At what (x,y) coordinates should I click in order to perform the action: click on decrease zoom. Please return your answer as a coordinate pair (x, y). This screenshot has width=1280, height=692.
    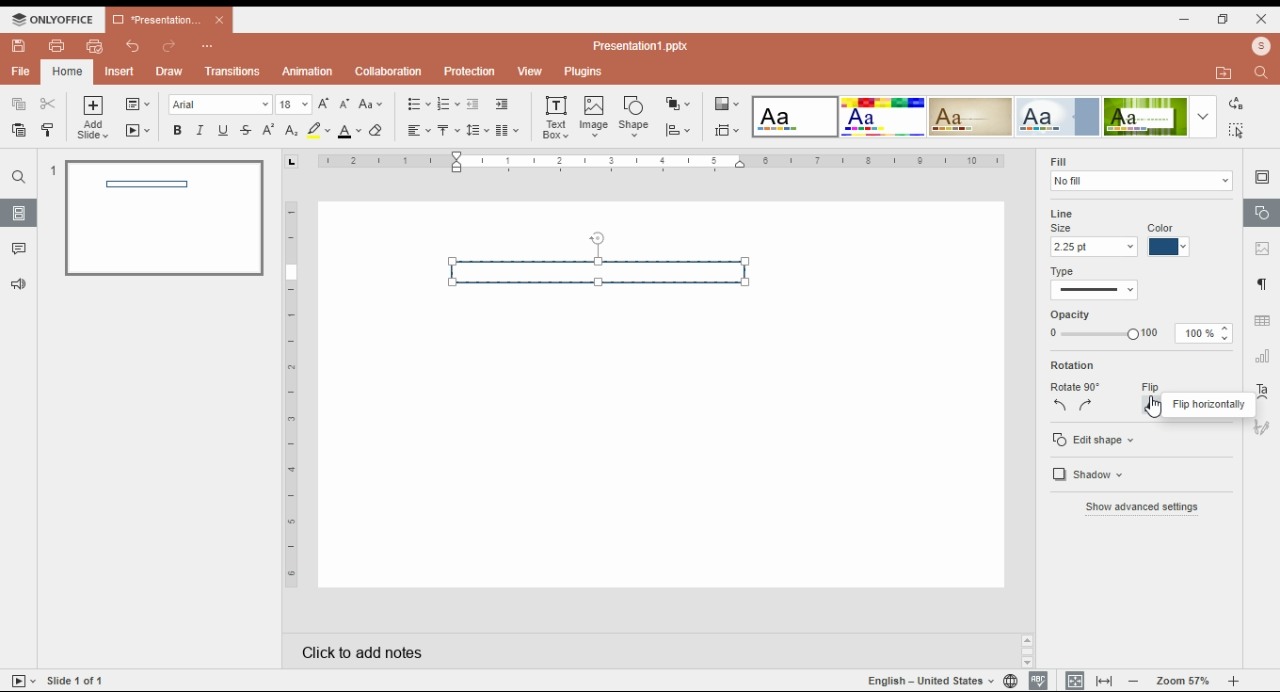
    Looking at the image, I should click on (1134, 680).